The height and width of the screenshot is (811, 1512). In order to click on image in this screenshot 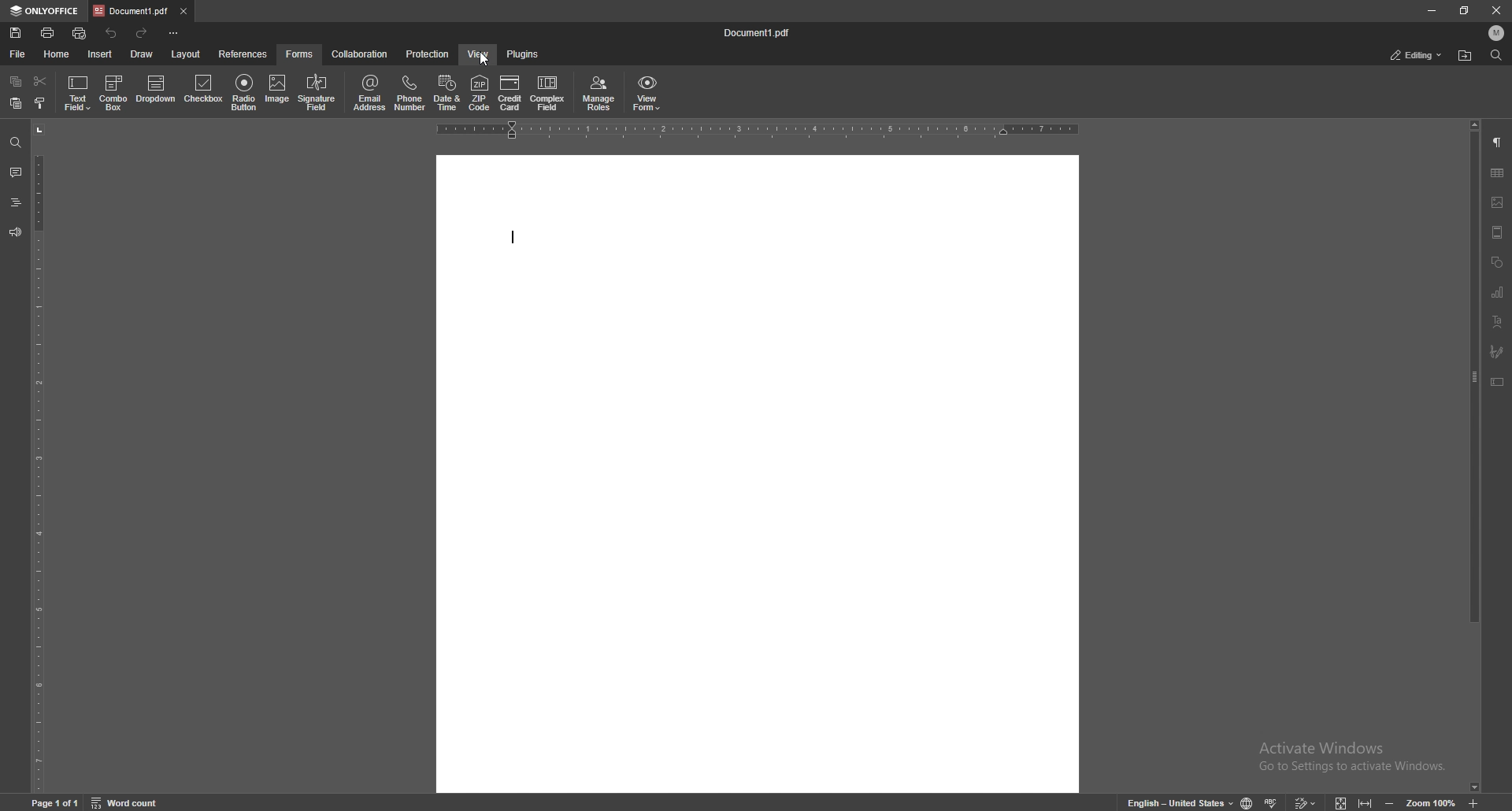, I will do `click(1499, 202)`.